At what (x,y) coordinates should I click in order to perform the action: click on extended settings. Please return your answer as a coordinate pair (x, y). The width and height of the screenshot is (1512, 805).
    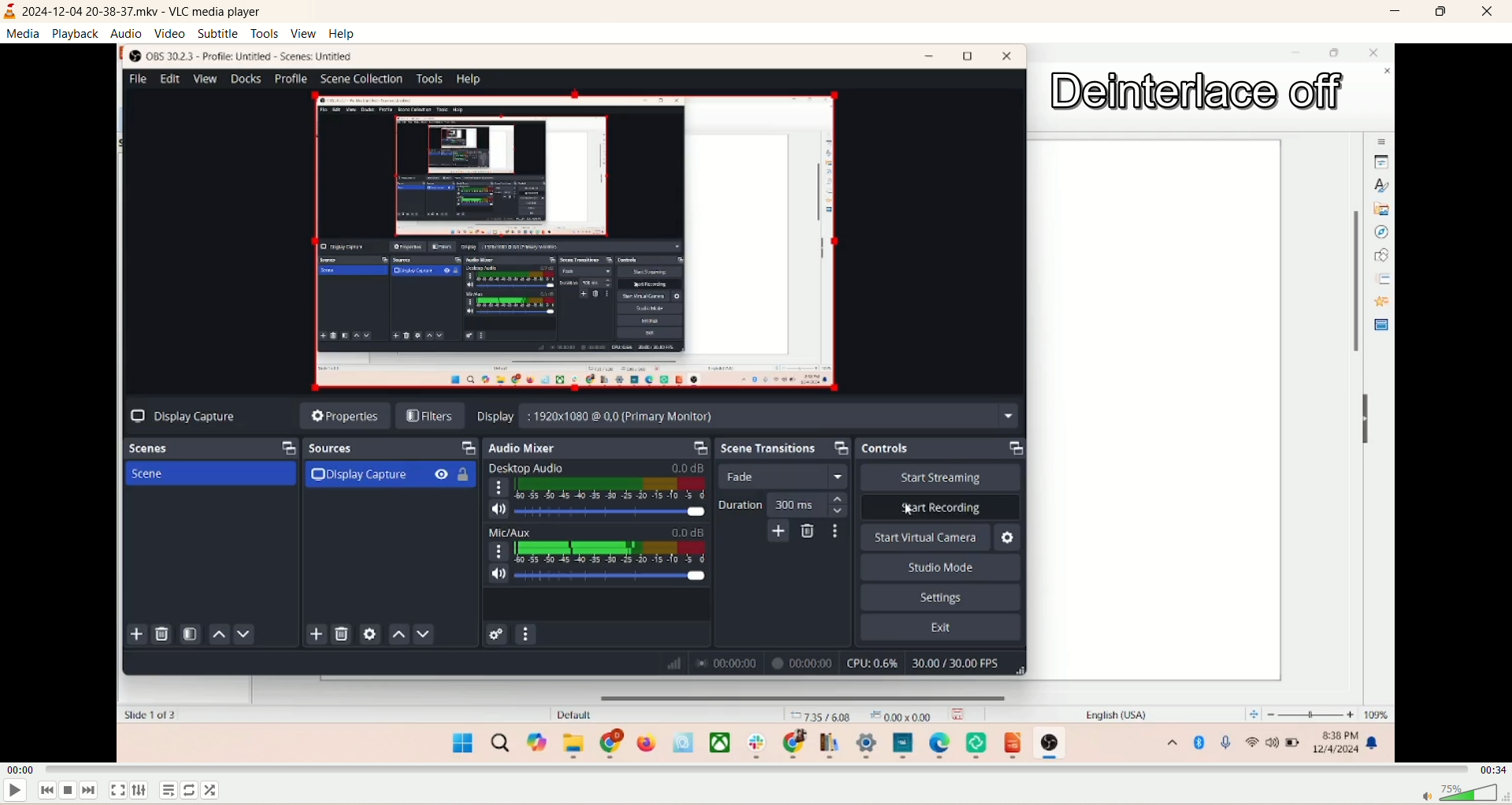
    Looking at the image, I should click on (140, 790).